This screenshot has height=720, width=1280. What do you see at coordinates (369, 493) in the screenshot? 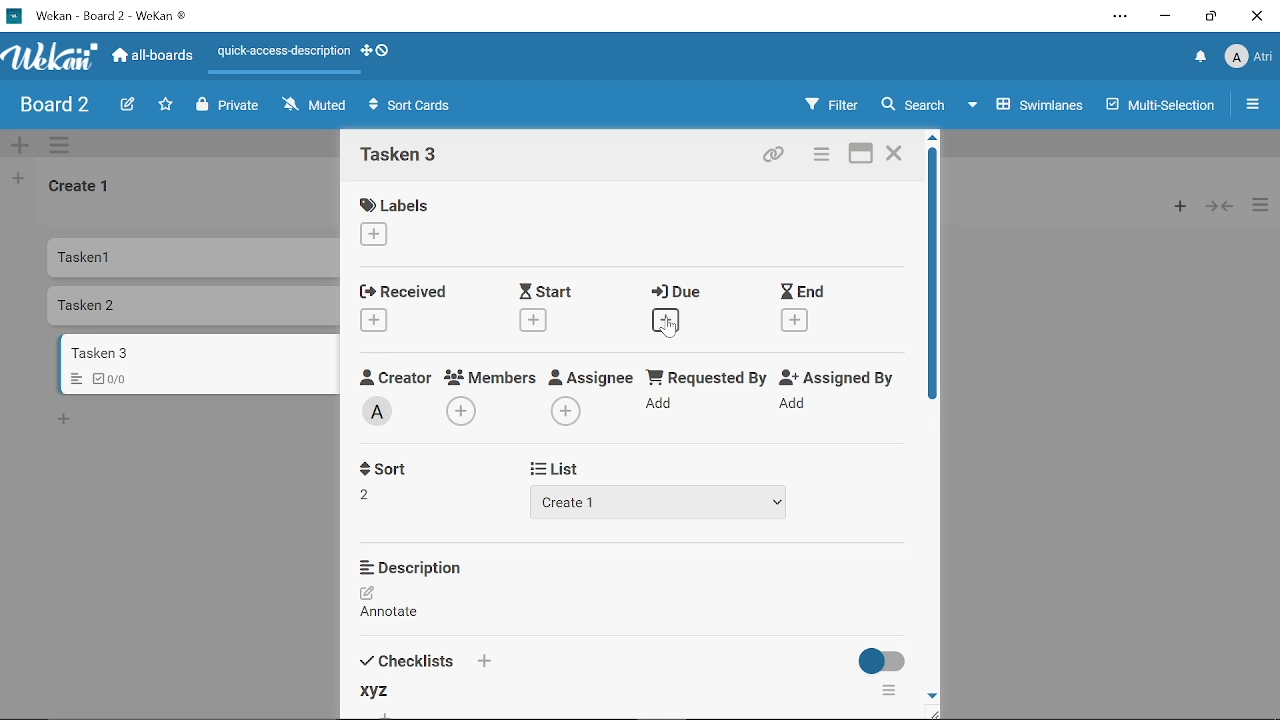
I see `Sort` at bounding box center [369, 493].